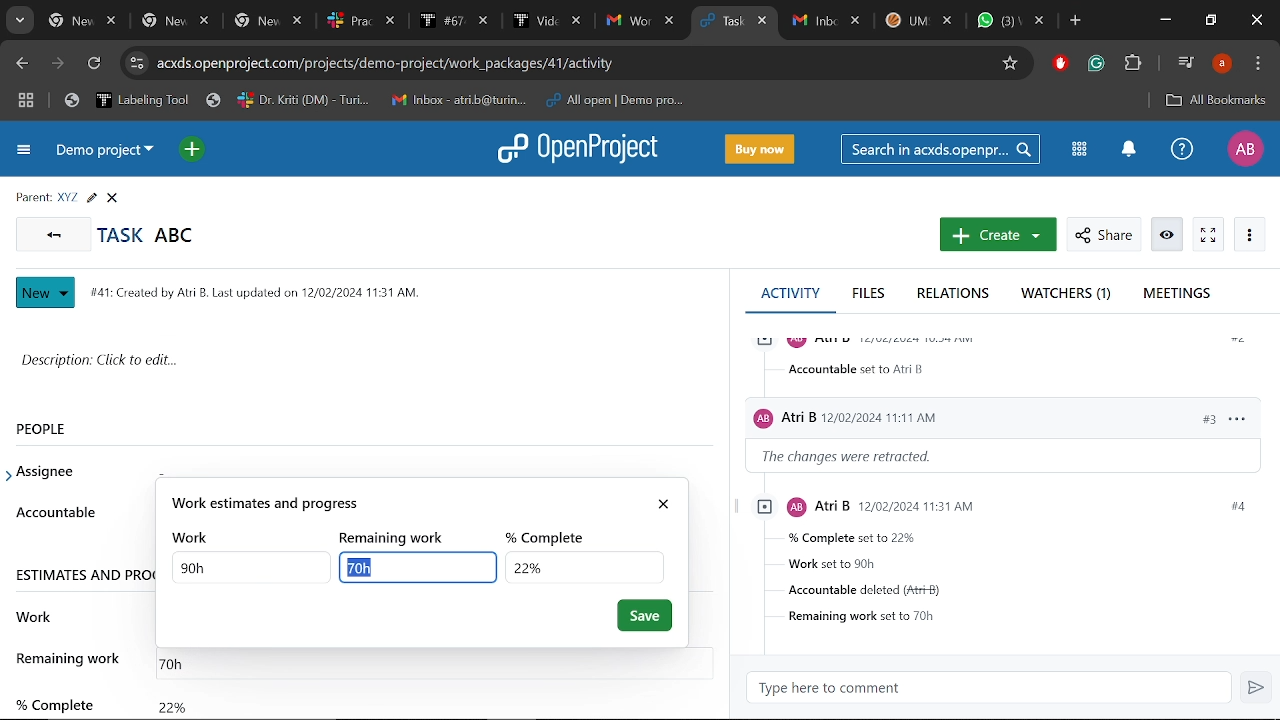 This screenshot has height=720, width=1280. Describe the element at coordinates (583, 566) in the screenshot. I see `COmpleted work` at that location.